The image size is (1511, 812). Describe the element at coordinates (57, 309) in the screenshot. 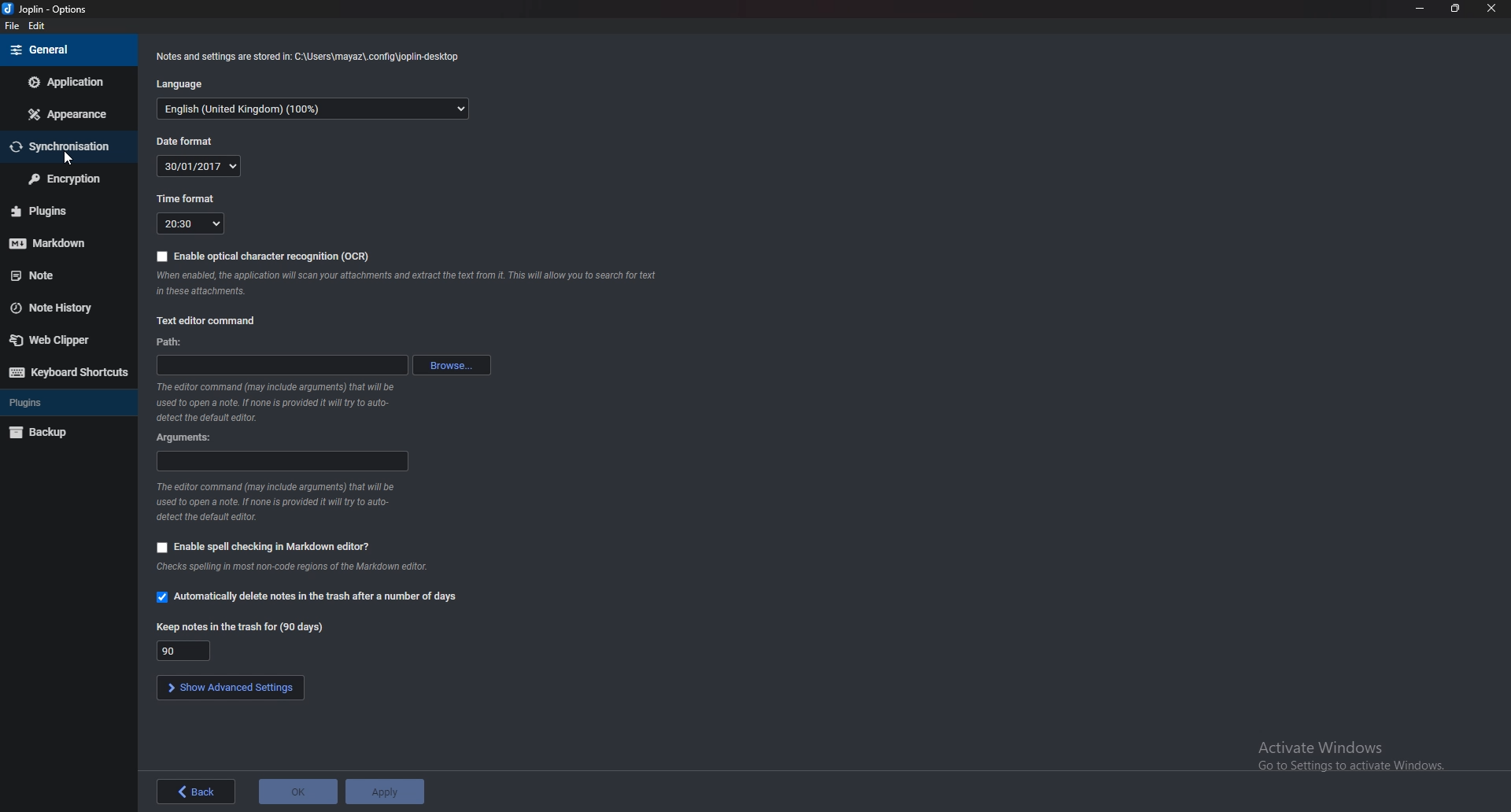

I see `note history` at that location.